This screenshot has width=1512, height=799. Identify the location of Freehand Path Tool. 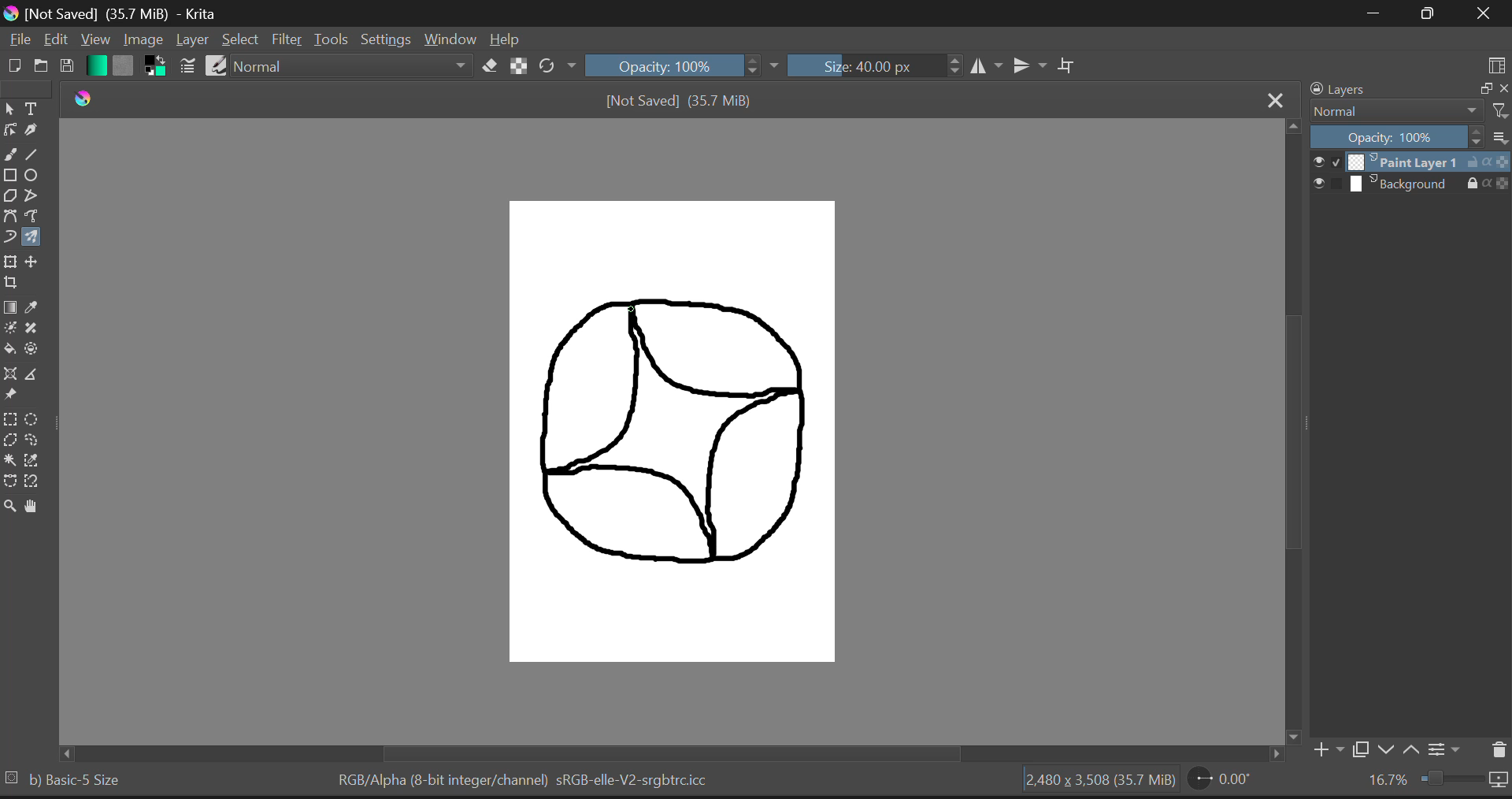
(34, 214).